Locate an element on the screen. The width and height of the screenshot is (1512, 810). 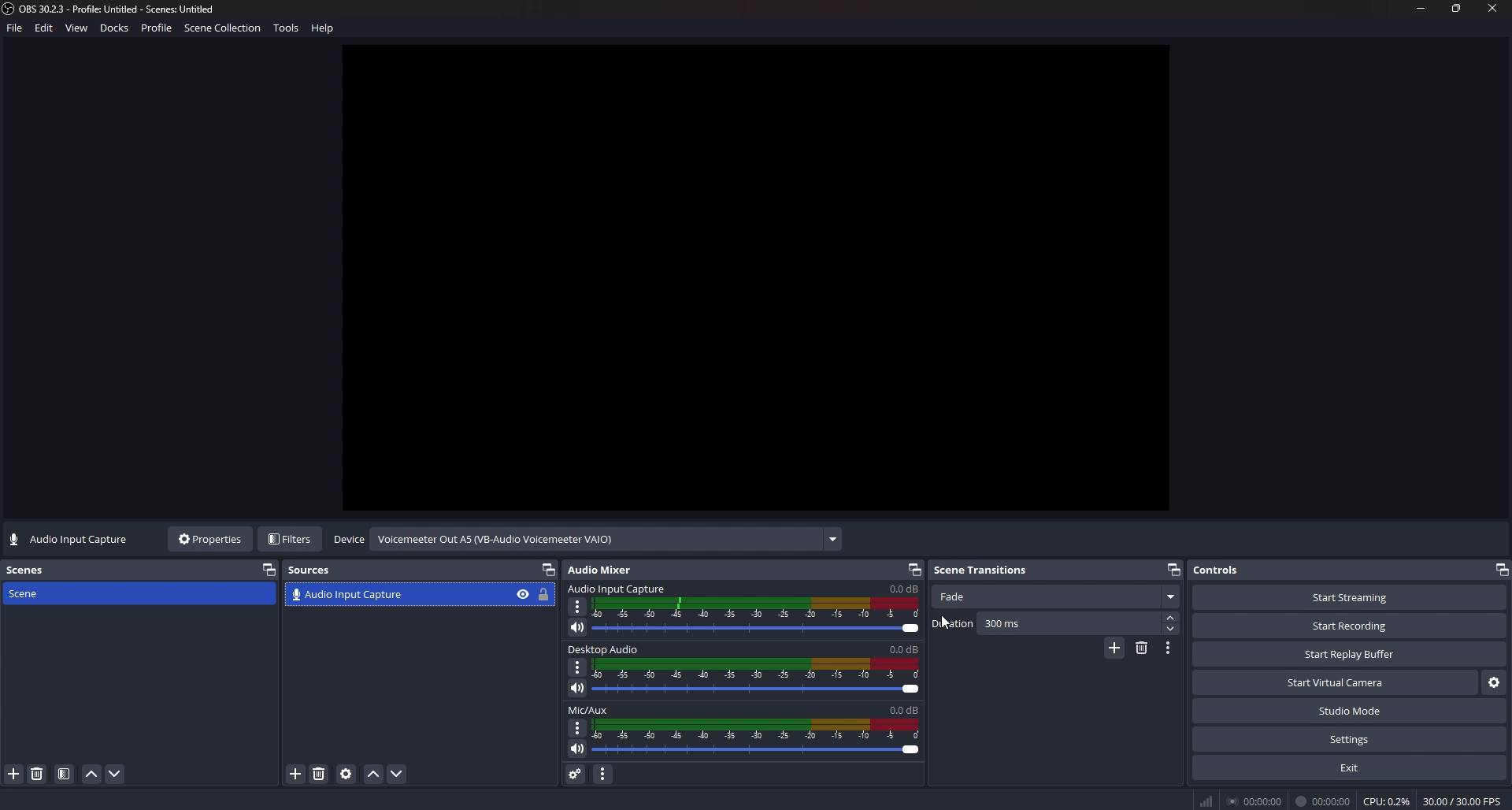
minimize is located at coordinates (1421, 9).